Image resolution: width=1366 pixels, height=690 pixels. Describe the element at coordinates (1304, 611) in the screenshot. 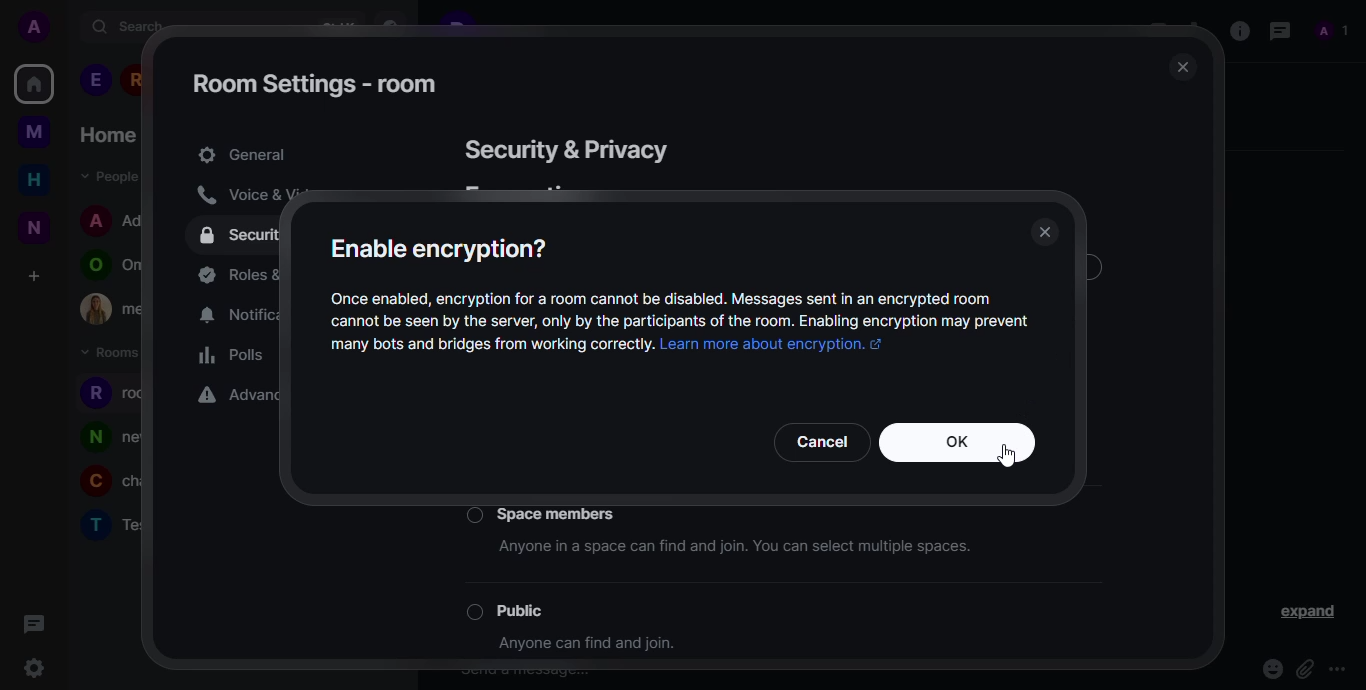

I see `expand` at that location.